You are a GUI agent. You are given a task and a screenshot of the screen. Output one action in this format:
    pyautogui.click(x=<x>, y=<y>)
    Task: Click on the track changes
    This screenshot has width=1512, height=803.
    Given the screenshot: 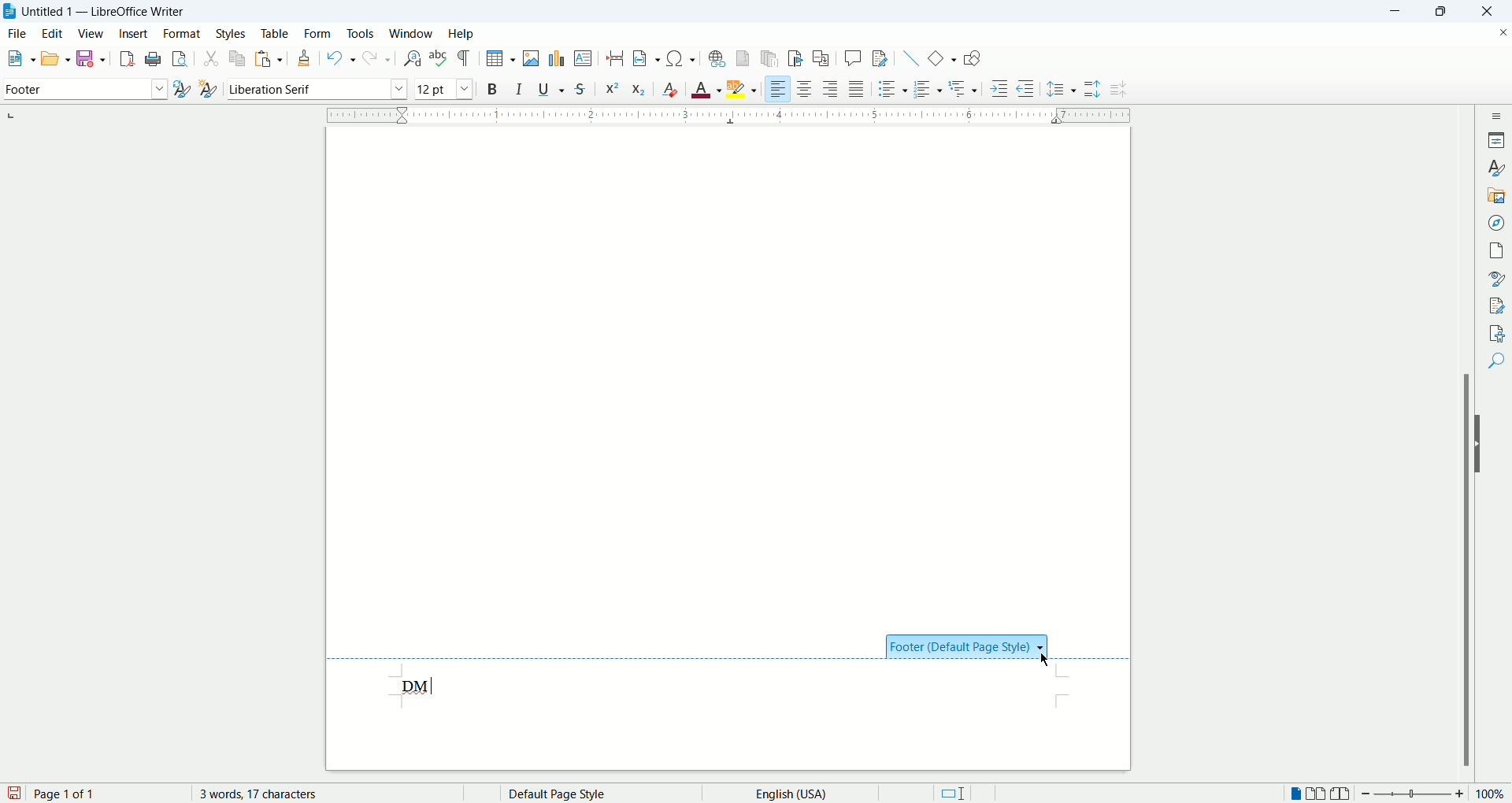 What is the action you would take?
    pyautogui.click(x=880, y=59)
    